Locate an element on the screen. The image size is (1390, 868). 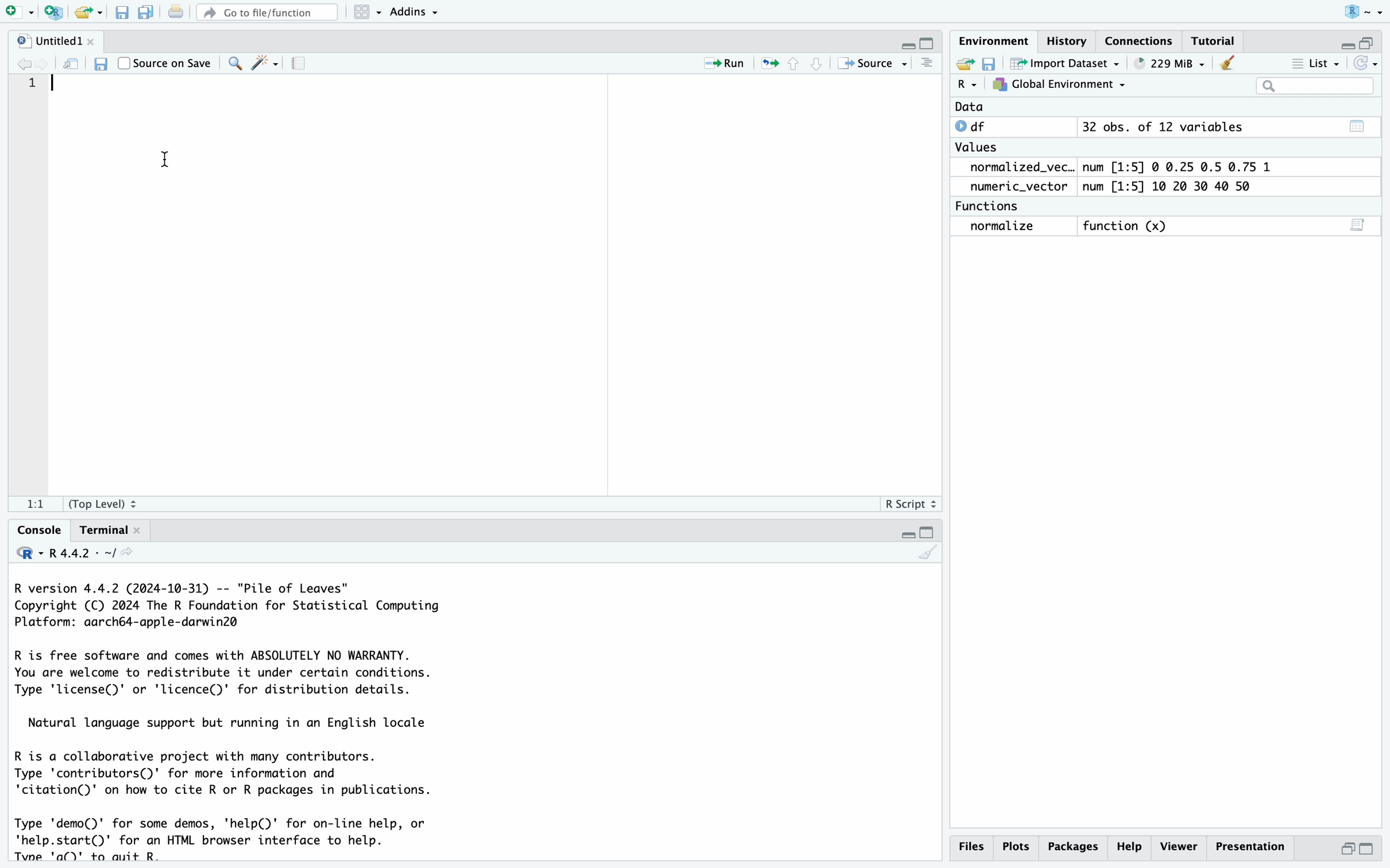
minimize is located at coordinates (906, 533).